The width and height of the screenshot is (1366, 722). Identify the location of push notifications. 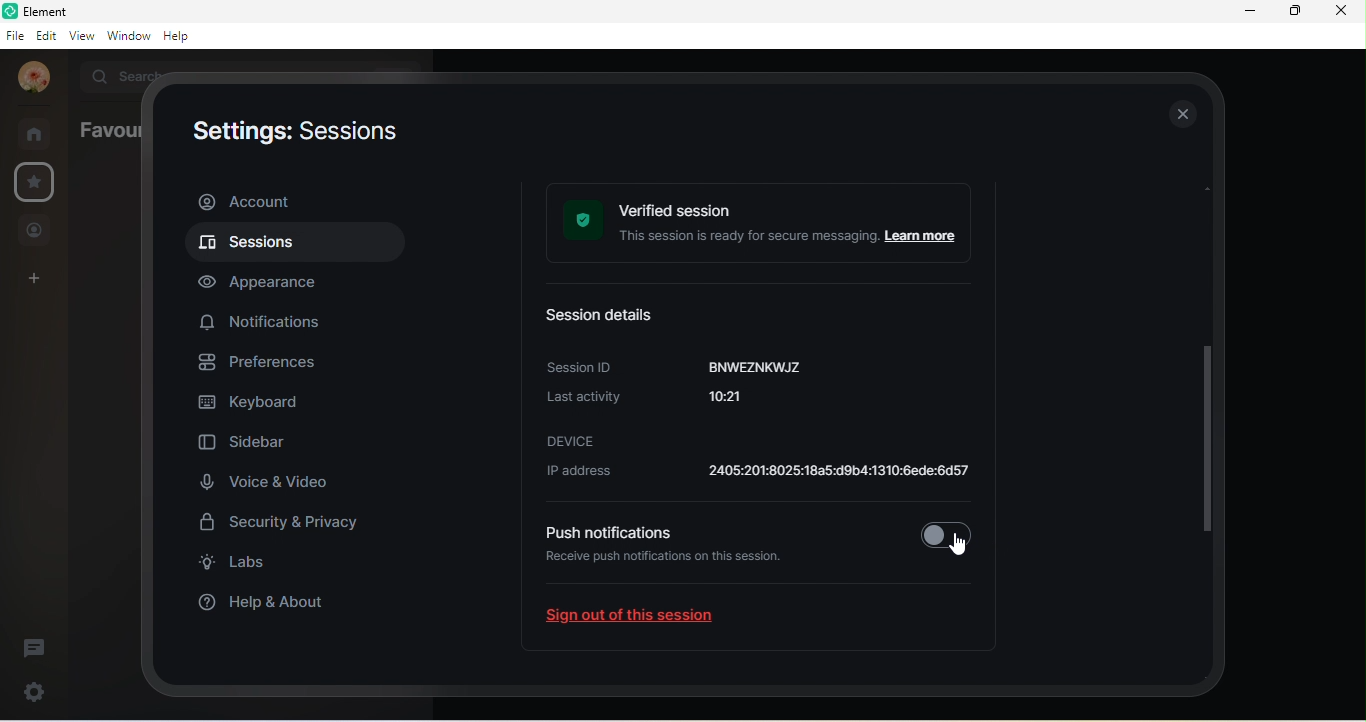
(607, 532).